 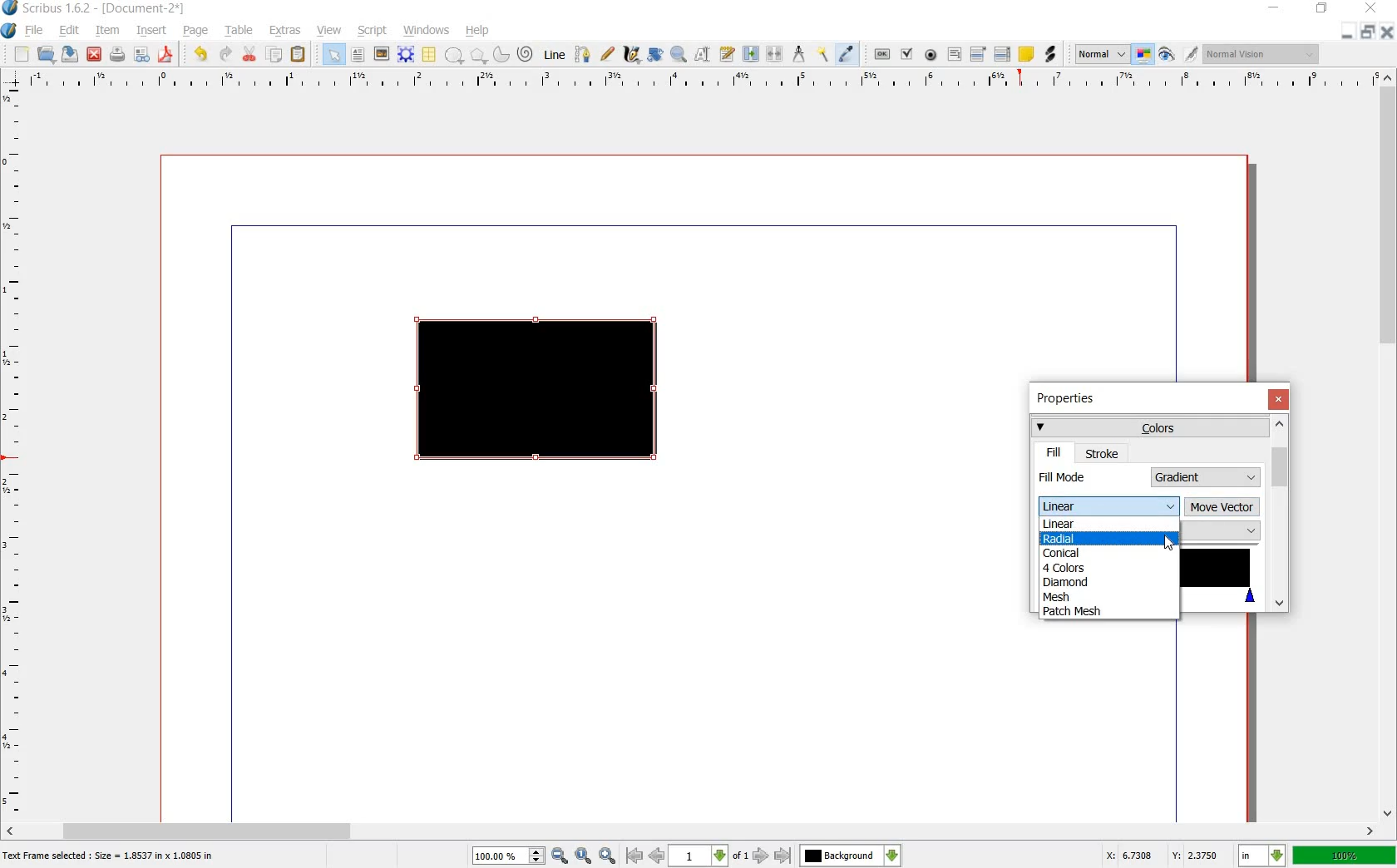 I want to click on go to next or last page, so click(x=771, y=856).